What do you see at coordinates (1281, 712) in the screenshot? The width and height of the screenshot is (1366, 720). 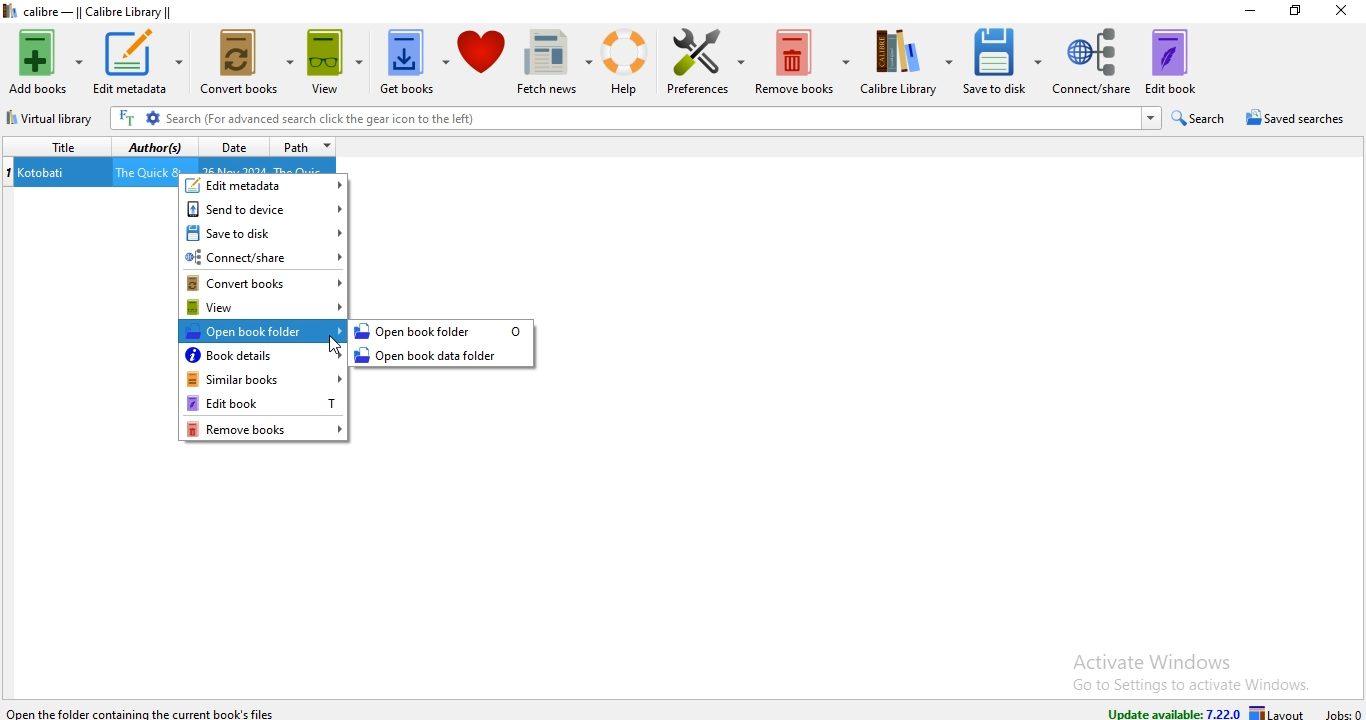 I see `layout` at bounding box center [1281, 712].